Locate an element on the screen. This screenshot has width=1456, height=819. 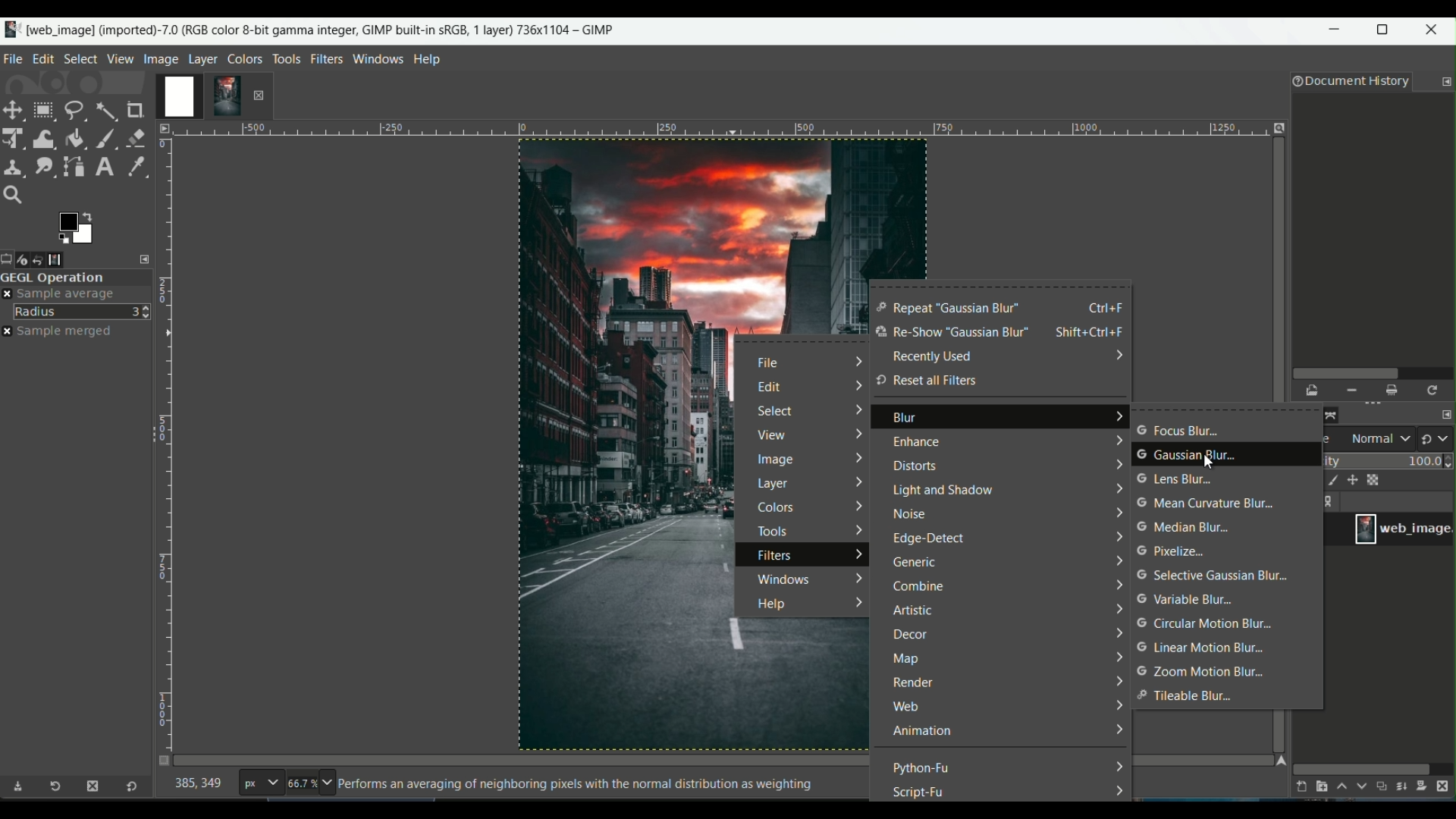
create duplicate layer is located at coordinates (1382, 788).